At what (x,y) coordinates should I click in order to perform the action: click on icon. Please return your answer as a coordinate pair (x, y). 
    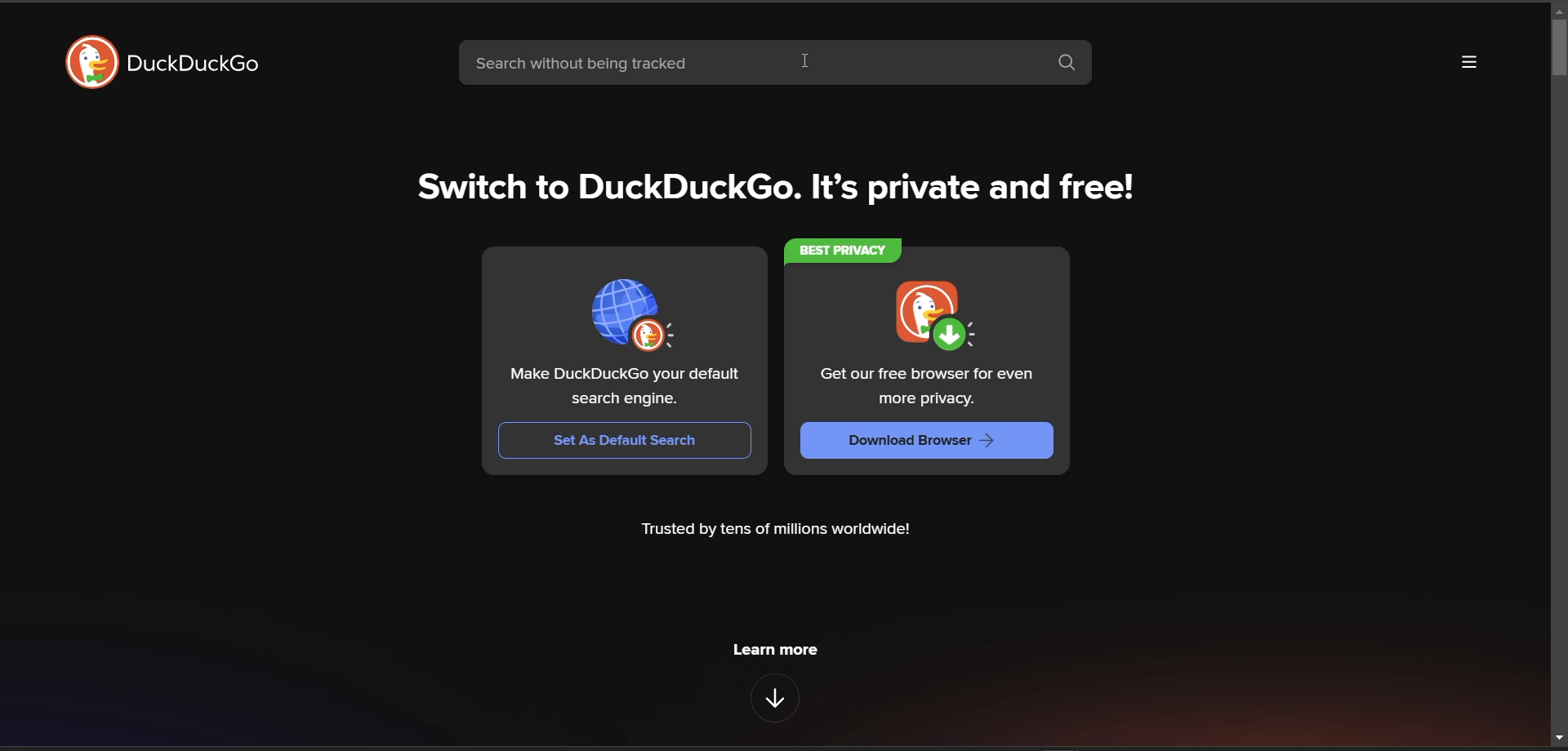
    Looking at the image, I should click on (930, 314).